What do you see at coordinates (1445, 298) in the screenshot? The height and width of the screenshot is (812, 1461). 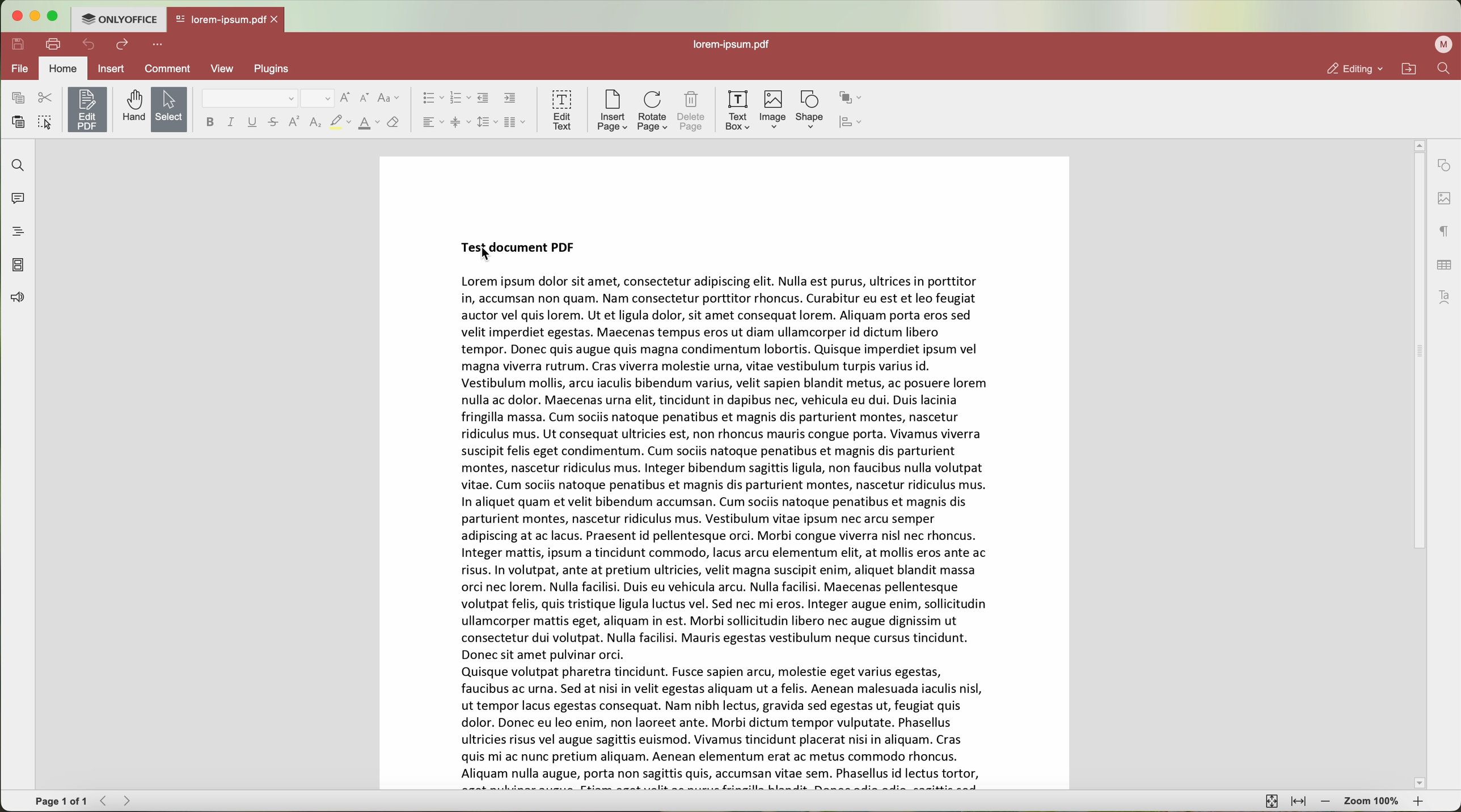 I see `text art settings` at bounding box center [1445, 298].